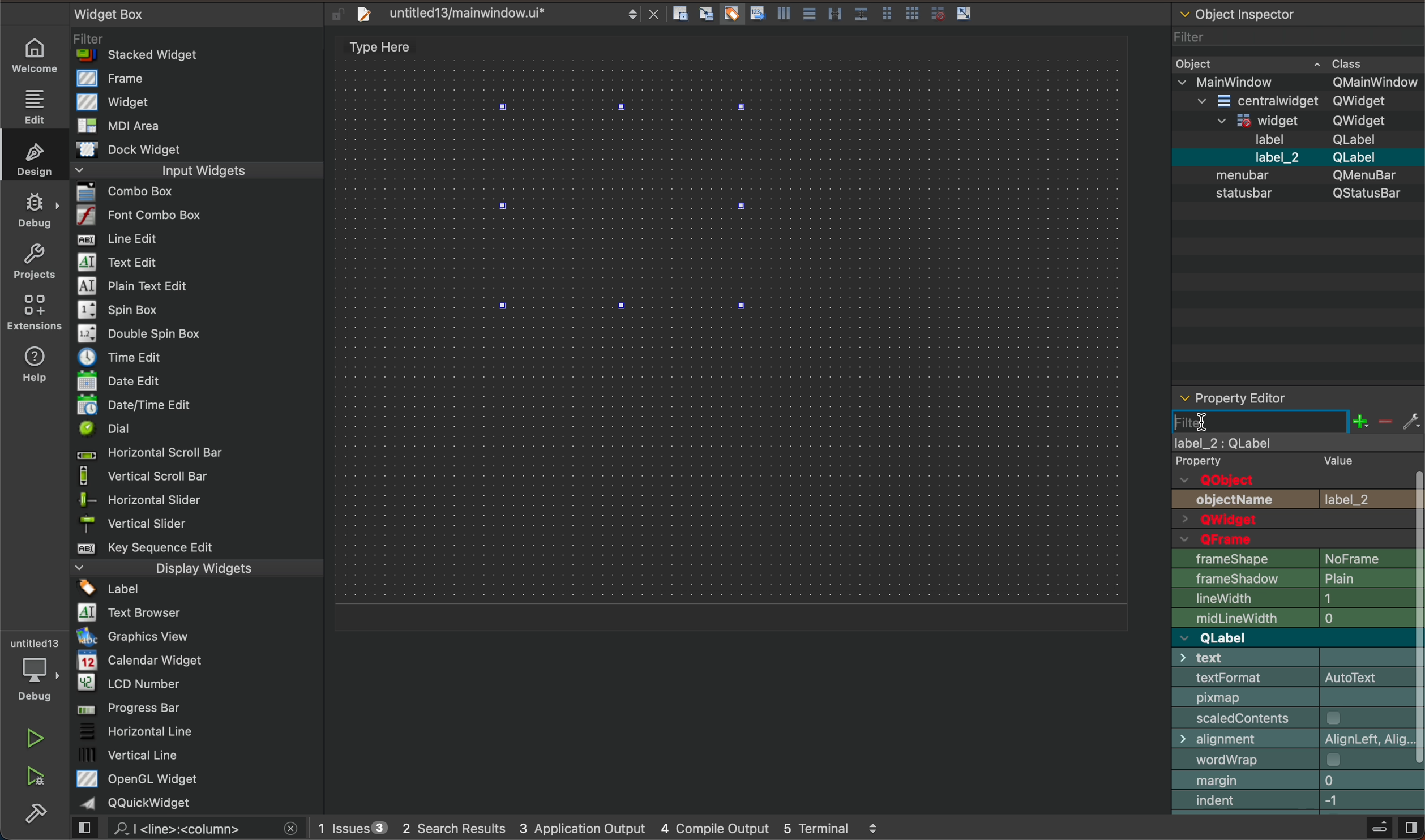  What do you see at coordinates (386, 48) in the screenshot?
I see `type here` at bounding box center [386, 48].